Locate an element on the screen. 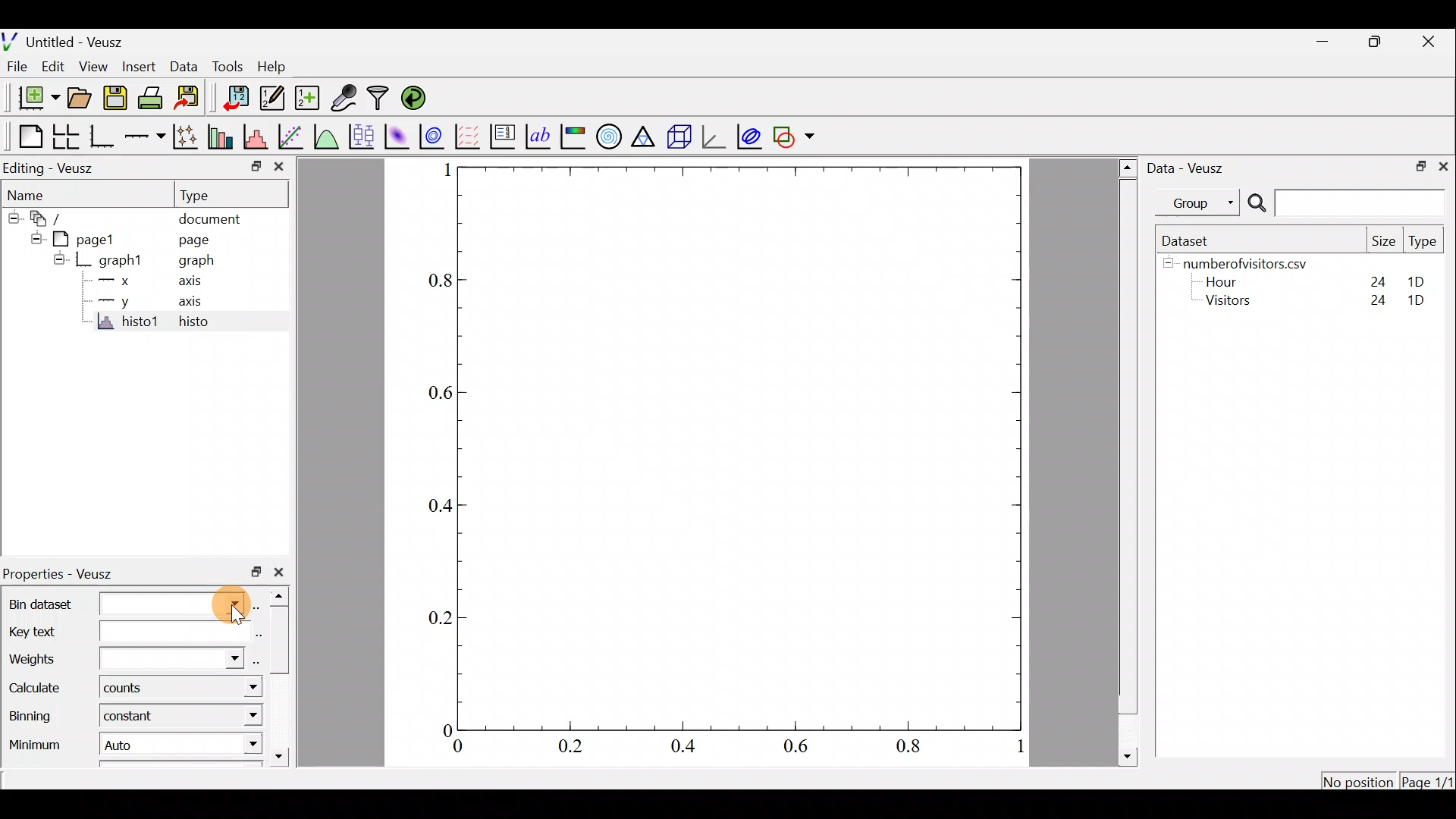  Edit is located at coordinates (55, 67).